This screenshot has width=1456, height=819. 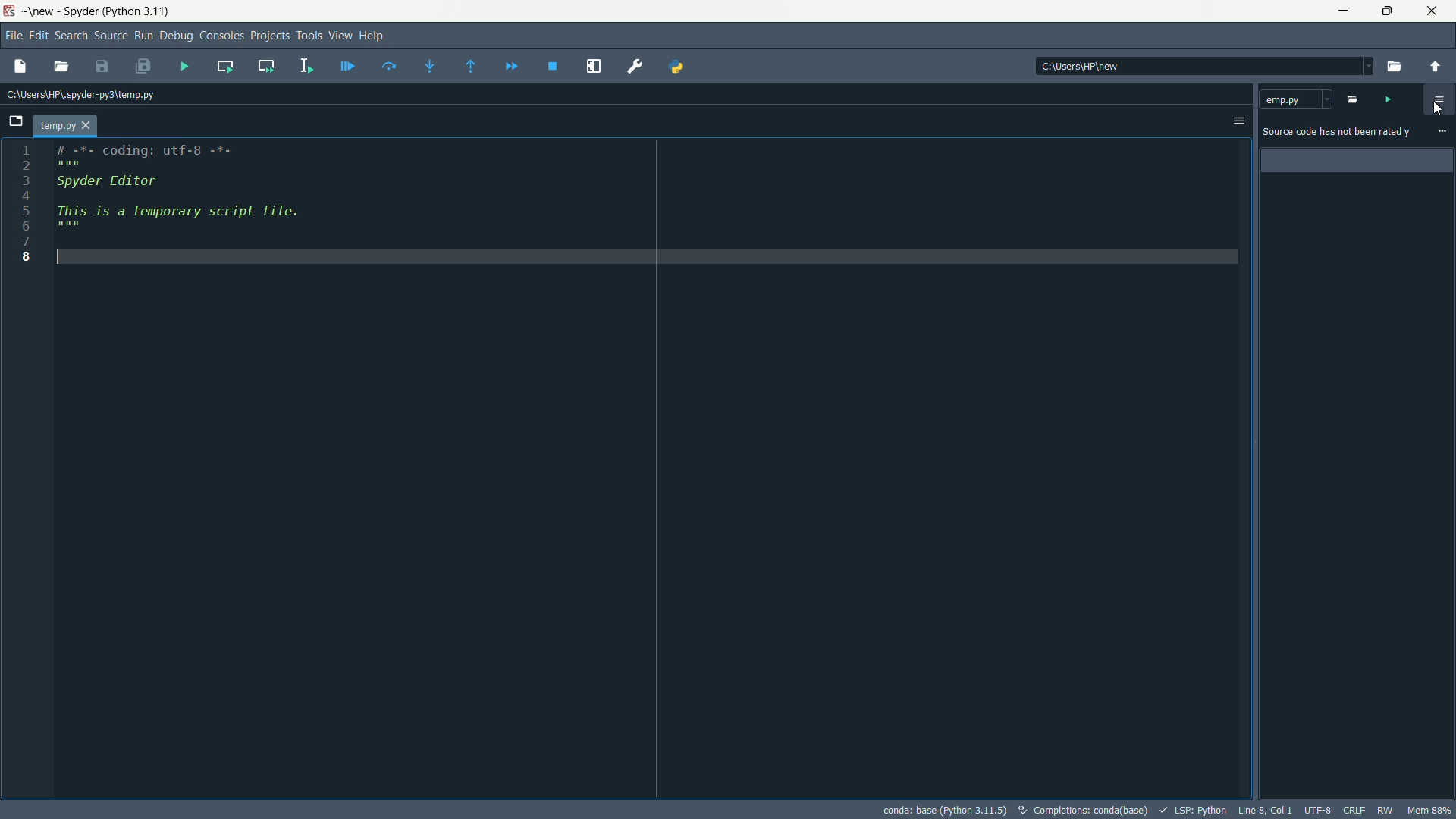 What do you see at coordinates (1266, 810) in the screenshot?
I see `cursor position` at bounding box center [1266, 810].